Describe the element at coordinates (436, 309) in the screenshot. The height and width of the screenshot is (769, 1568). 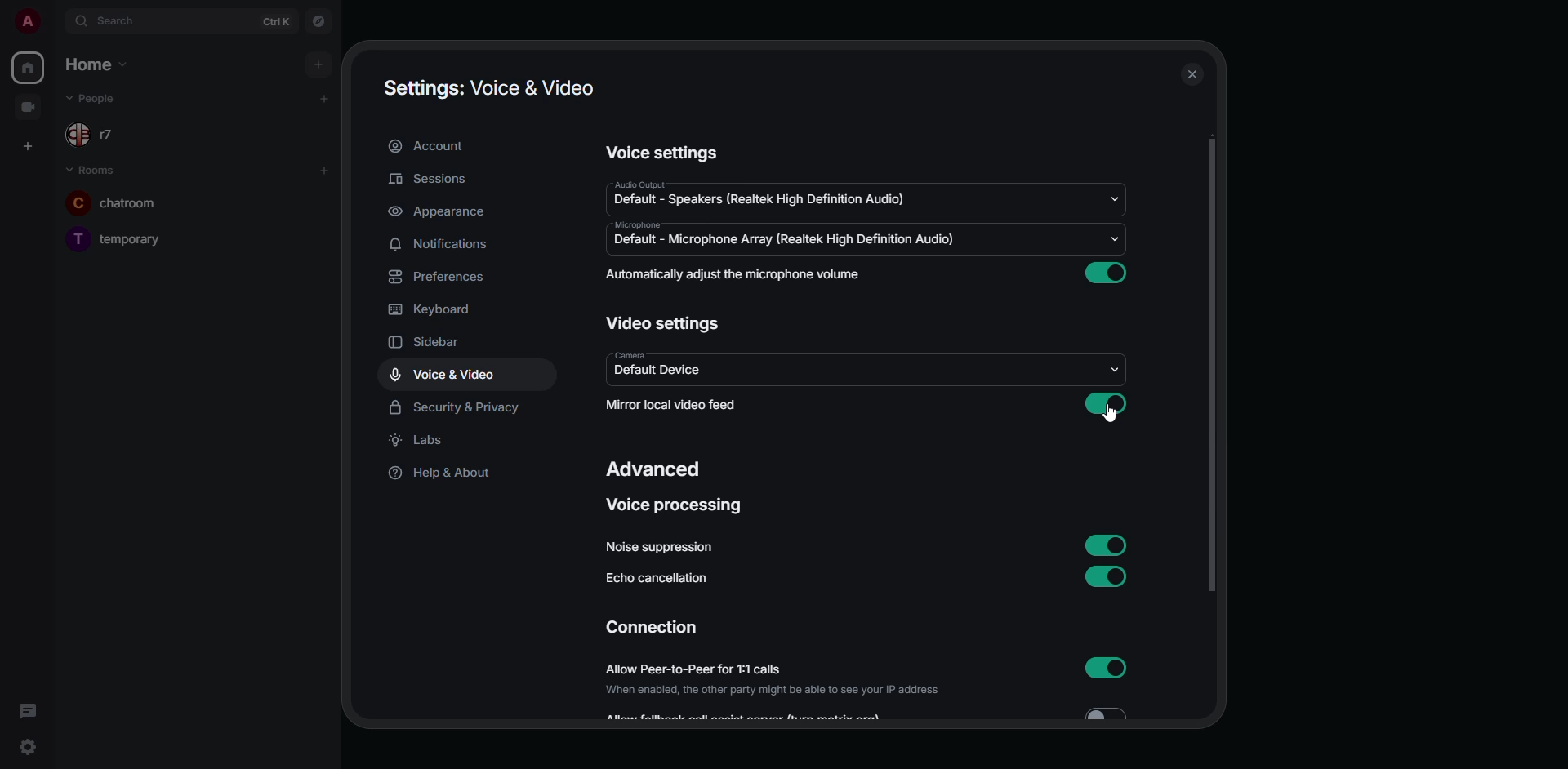
I see `keyboard` at that location.